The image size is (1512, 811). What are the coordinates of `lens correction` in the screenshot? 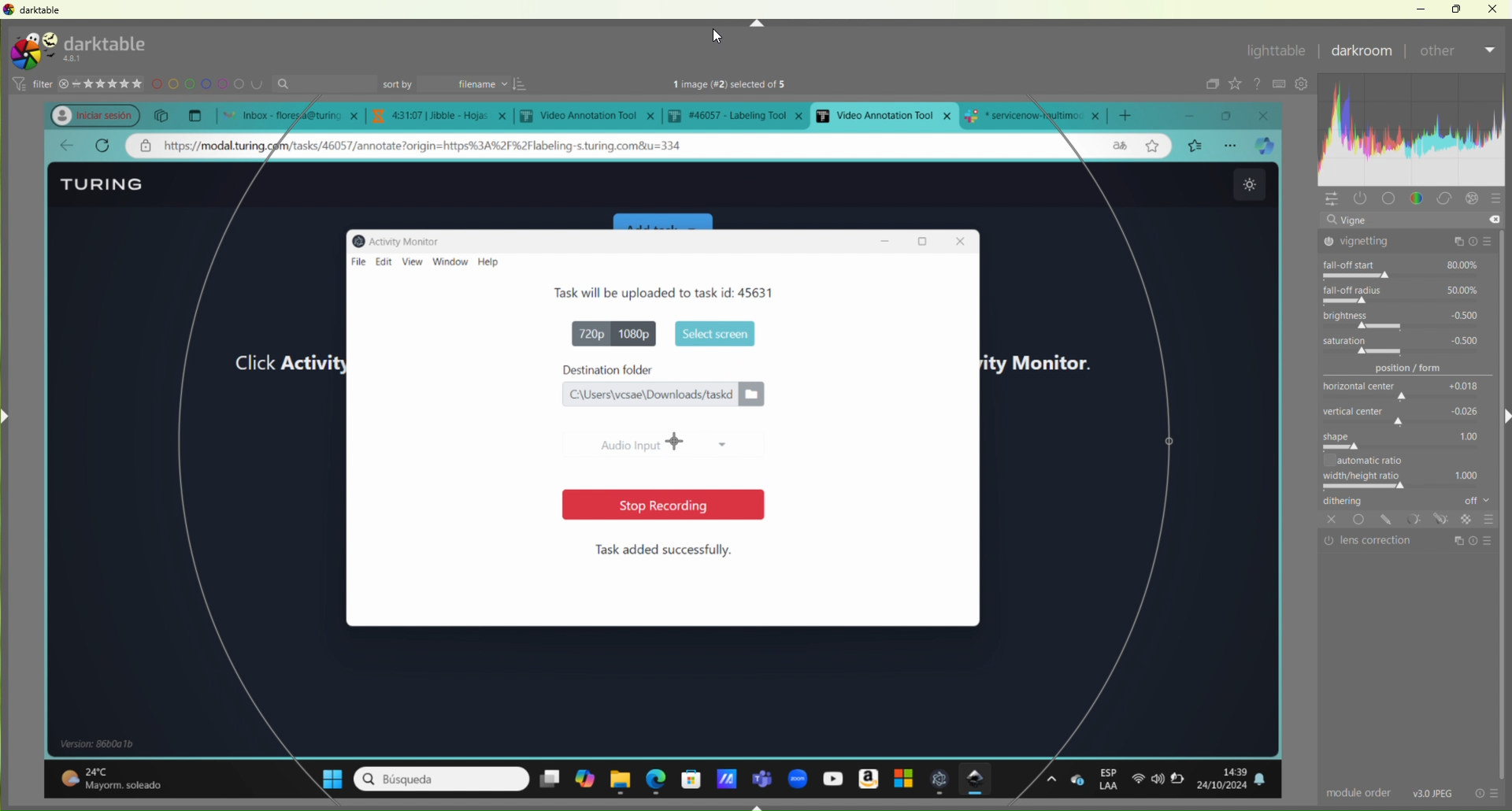 It's located at (1408, 540).